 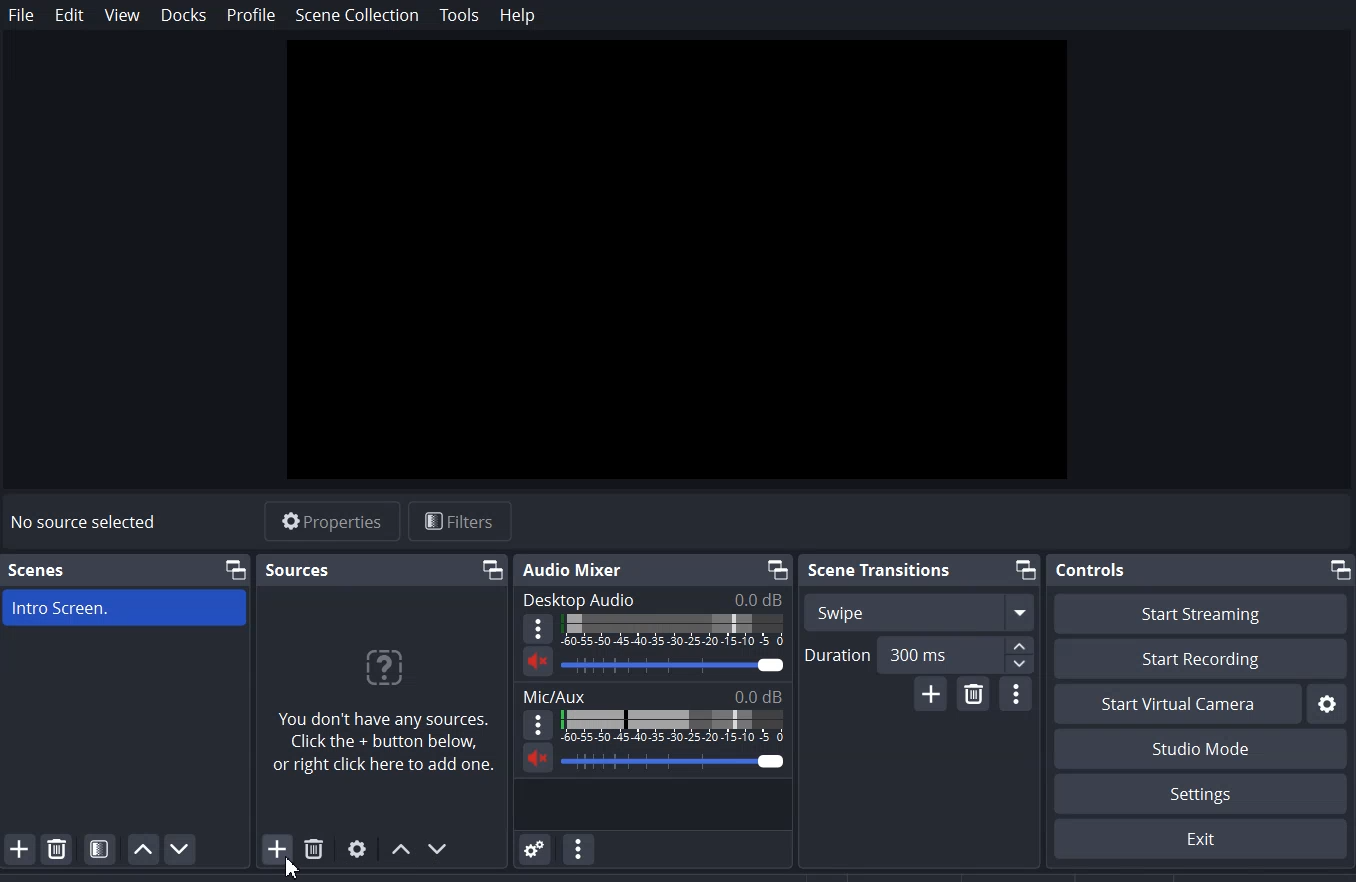 I want to click on Volume Indicator, so click(x=674, y=631).